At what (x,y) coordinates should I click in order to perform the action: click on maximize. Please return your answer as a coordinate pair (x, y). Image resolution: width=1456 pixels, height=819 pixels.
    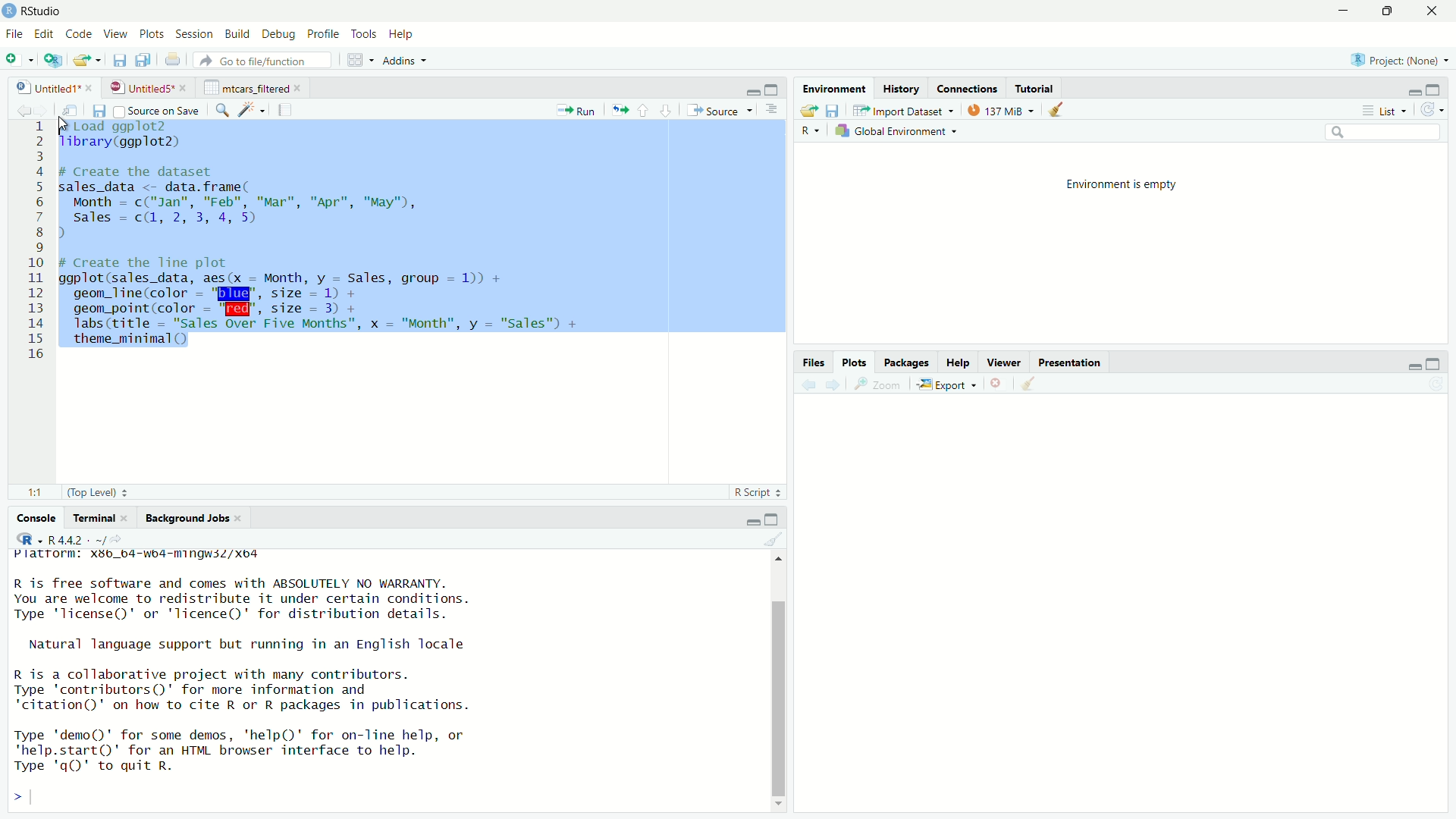
    Looking at the image, I should click on (772, 520).